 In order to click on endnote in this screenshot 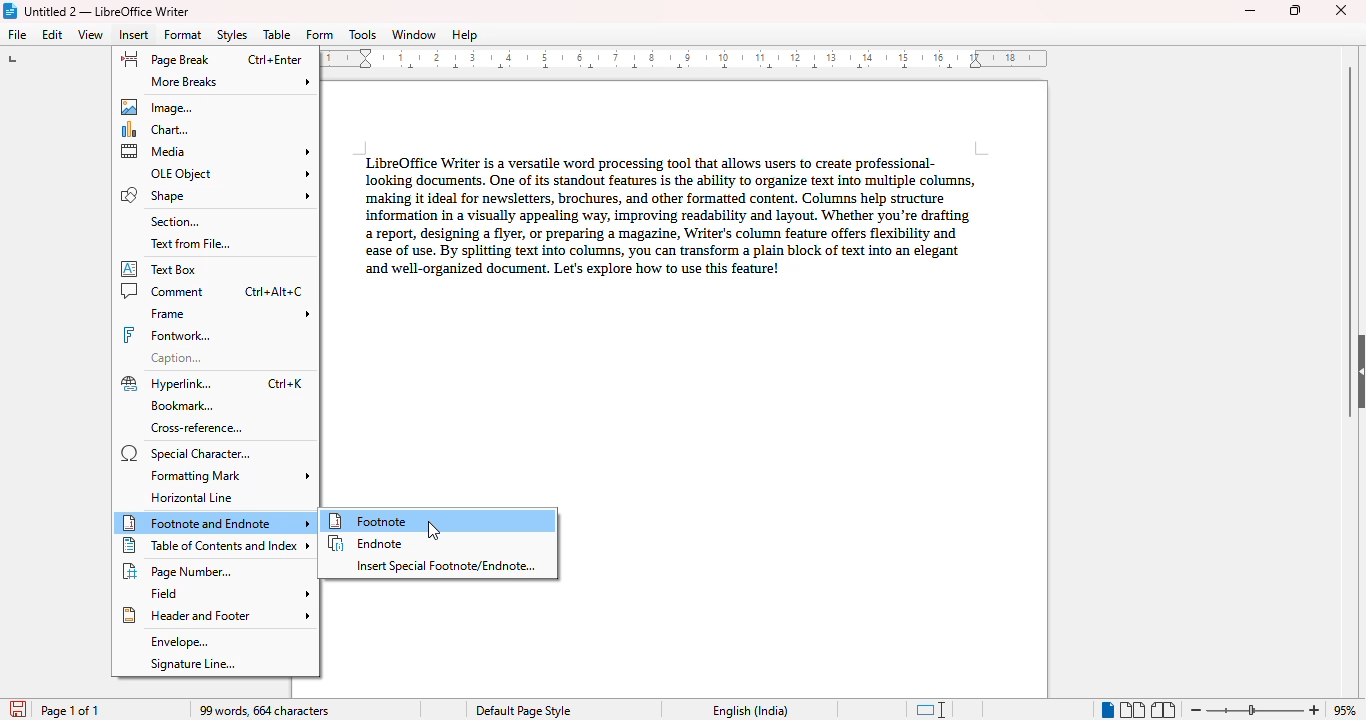, I will do `click(367, 543)`.